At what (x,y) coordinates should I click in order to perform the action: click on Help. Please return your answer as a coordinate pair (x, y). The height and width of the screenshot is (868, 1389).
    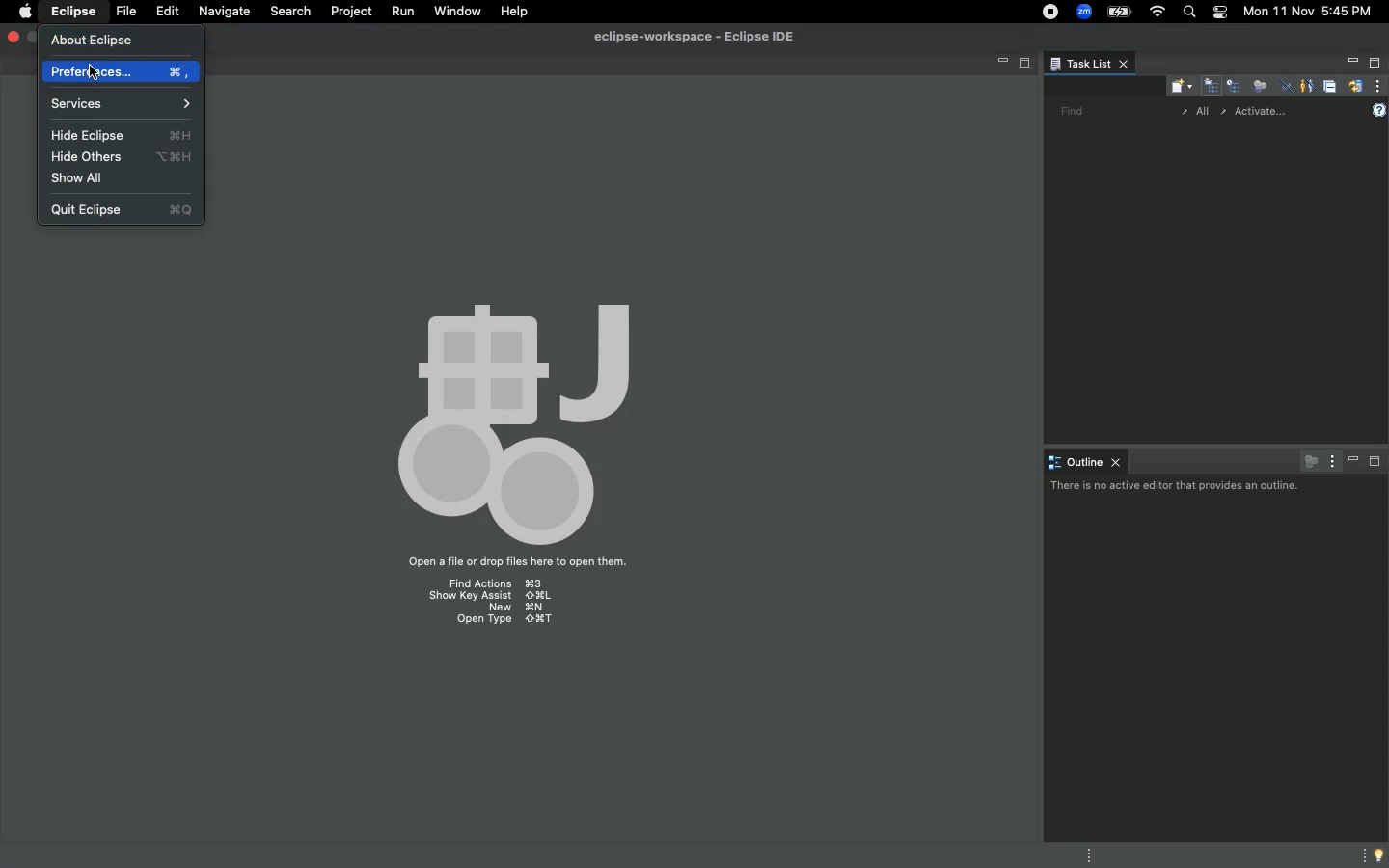
    Looking at the image, I should click on (514, 11).